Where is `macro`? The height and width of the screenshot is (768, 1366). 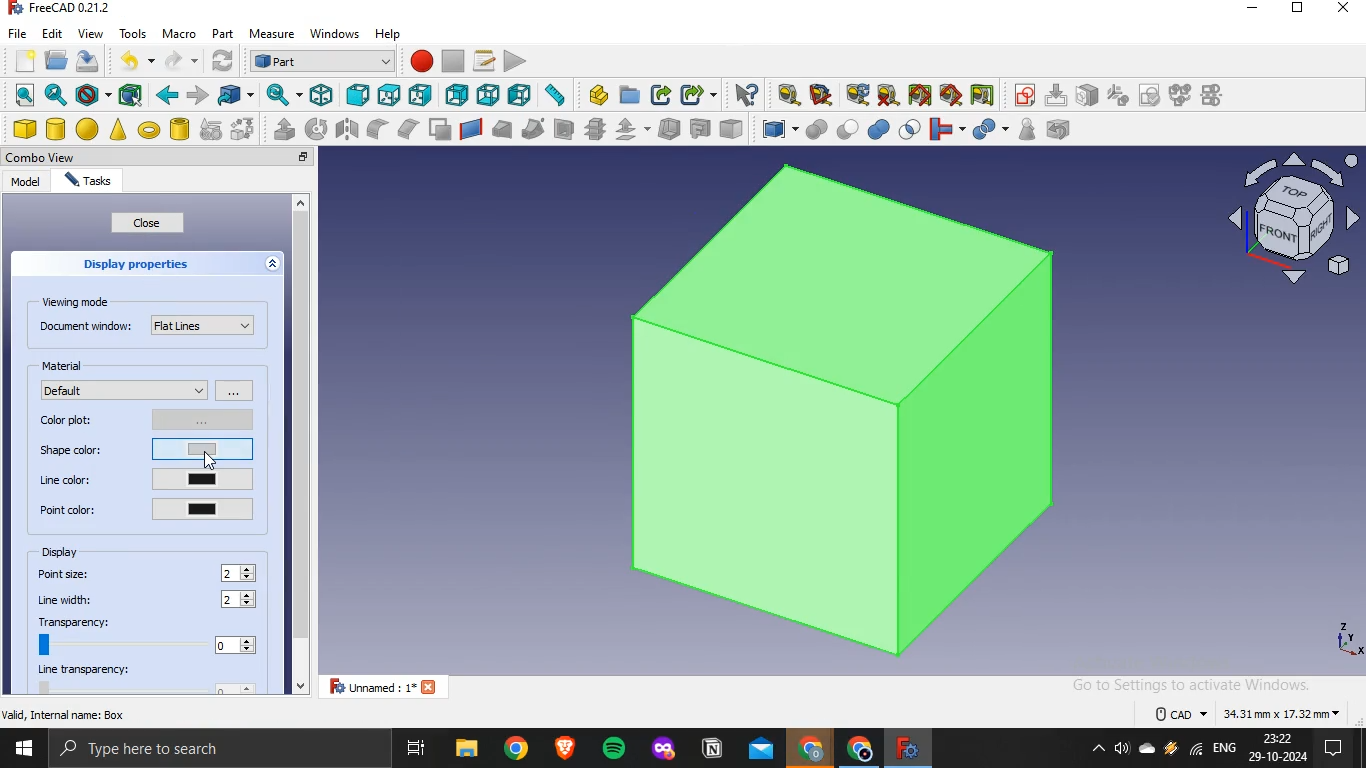 macro is located at coordinates (178, 34).